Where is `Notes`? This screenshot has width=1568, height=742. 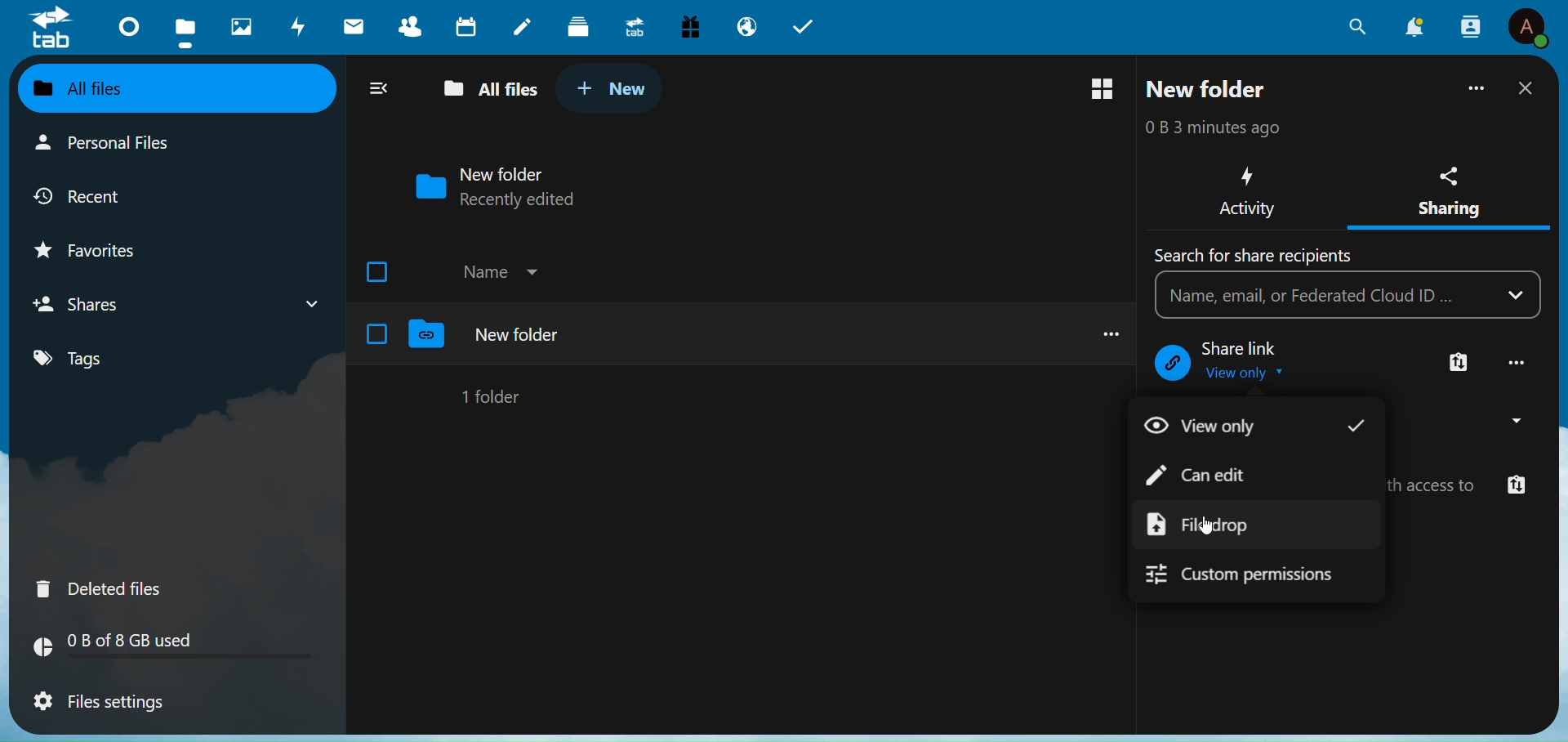
Notes is located at coordinates (520, 23).